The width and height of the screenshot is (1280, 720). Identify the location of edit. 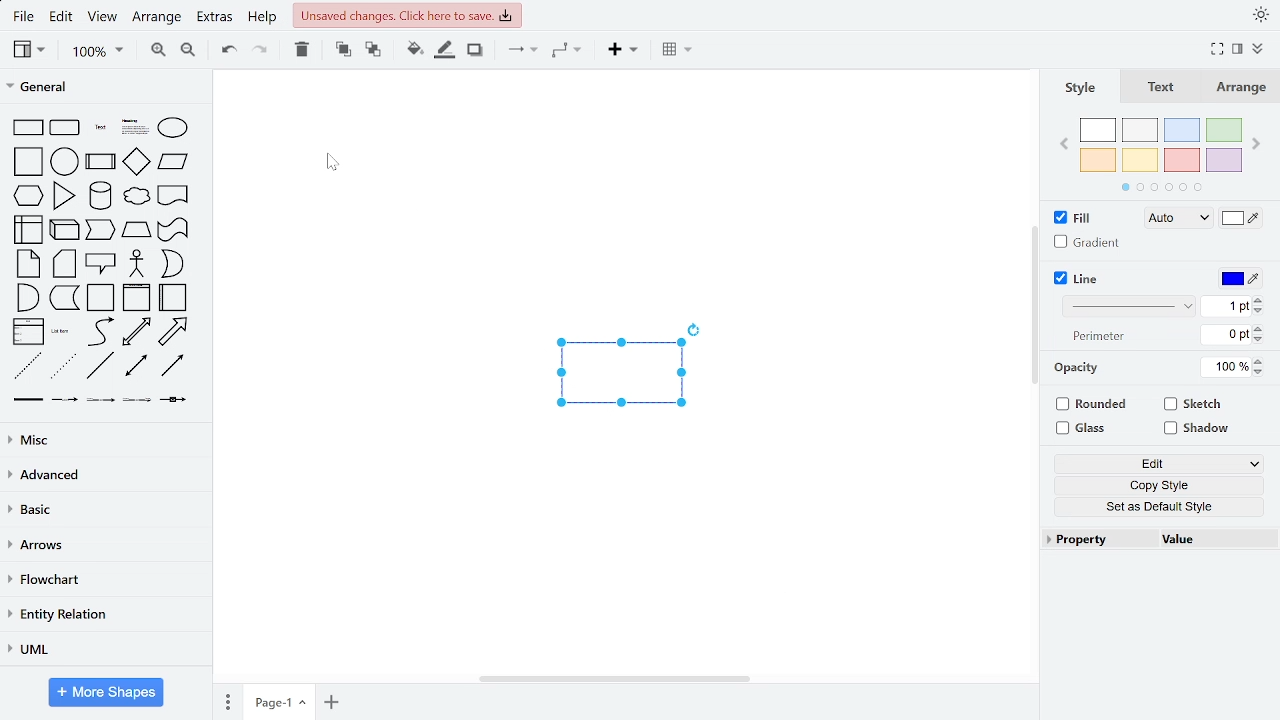
(62, 17).